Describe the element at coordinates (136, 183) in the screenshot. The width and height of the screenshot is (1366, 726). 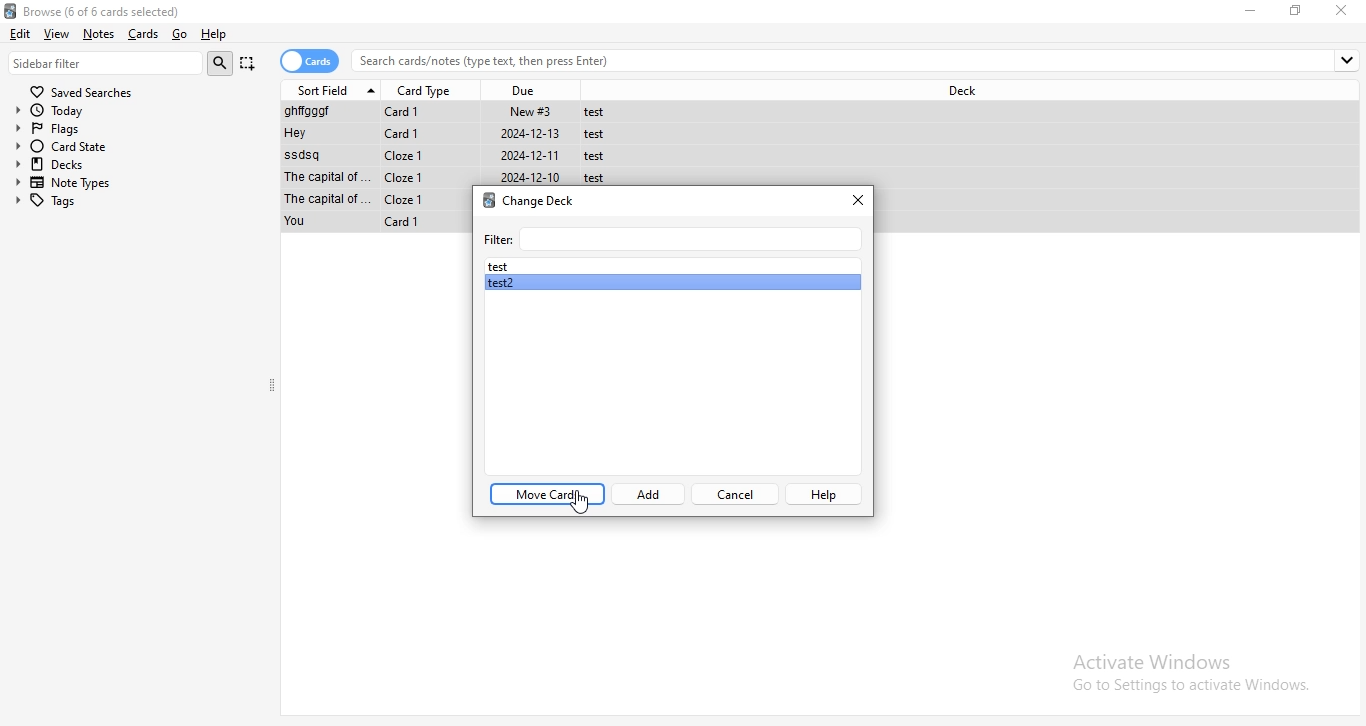
I see `note types` at that location.